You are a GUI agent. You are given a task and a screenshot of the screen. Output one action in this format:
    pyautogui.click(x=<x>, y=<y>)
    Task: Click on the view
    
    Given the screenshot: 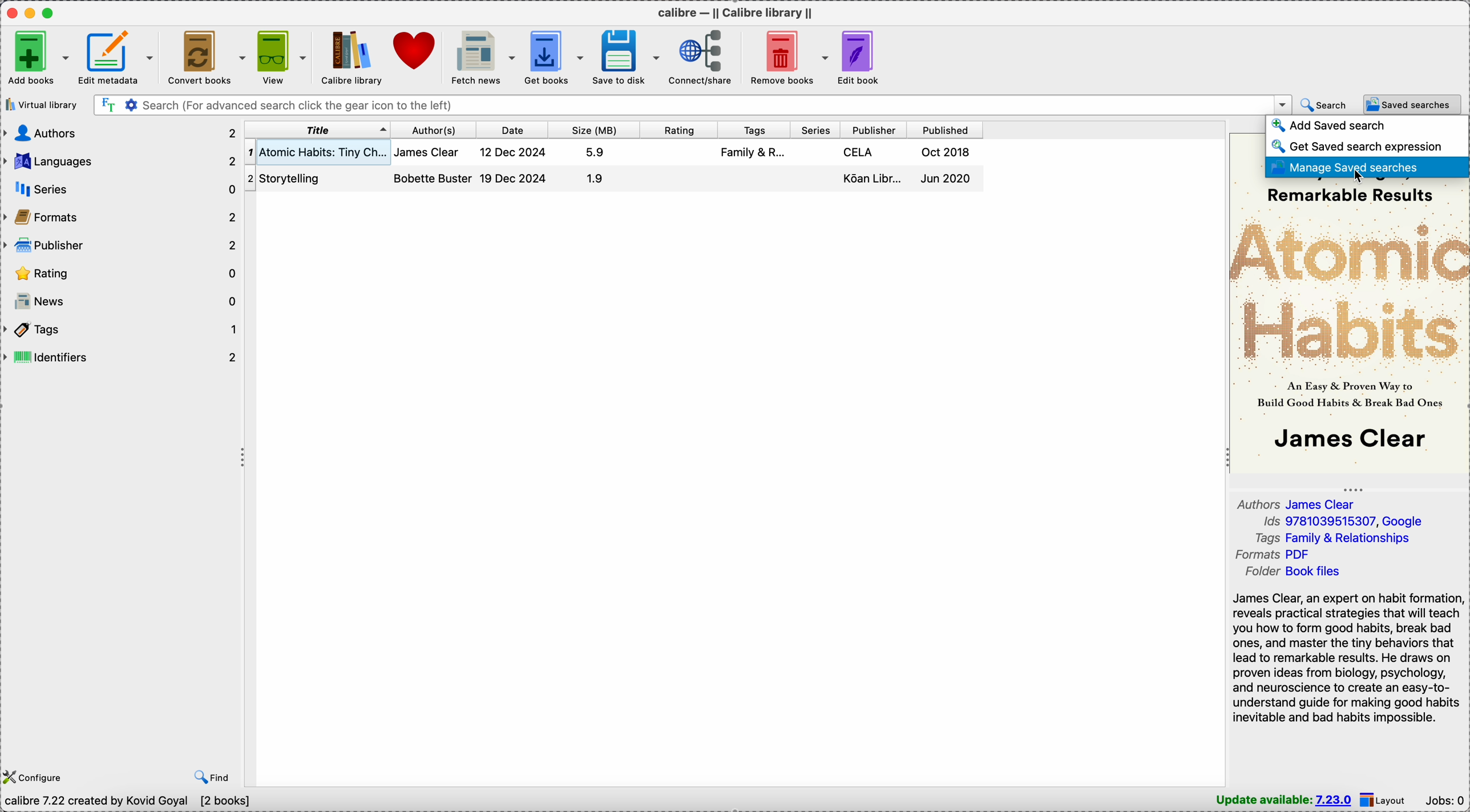 What is the action you would take?
    pyautogui.click(x=281, y=58)
    